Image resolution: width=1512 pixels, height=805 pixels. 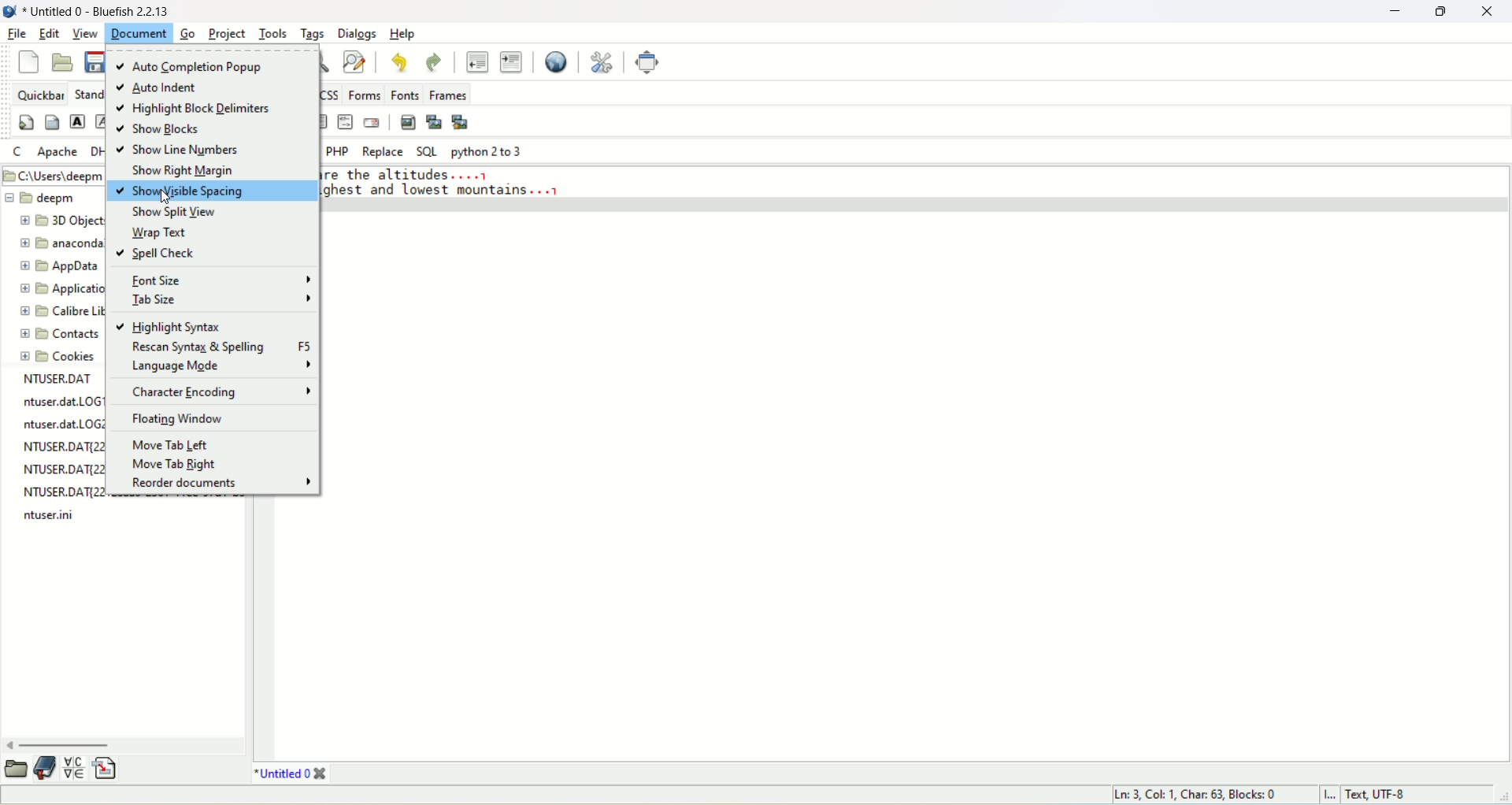 I want to click on indent, so click(x=510, y=63).